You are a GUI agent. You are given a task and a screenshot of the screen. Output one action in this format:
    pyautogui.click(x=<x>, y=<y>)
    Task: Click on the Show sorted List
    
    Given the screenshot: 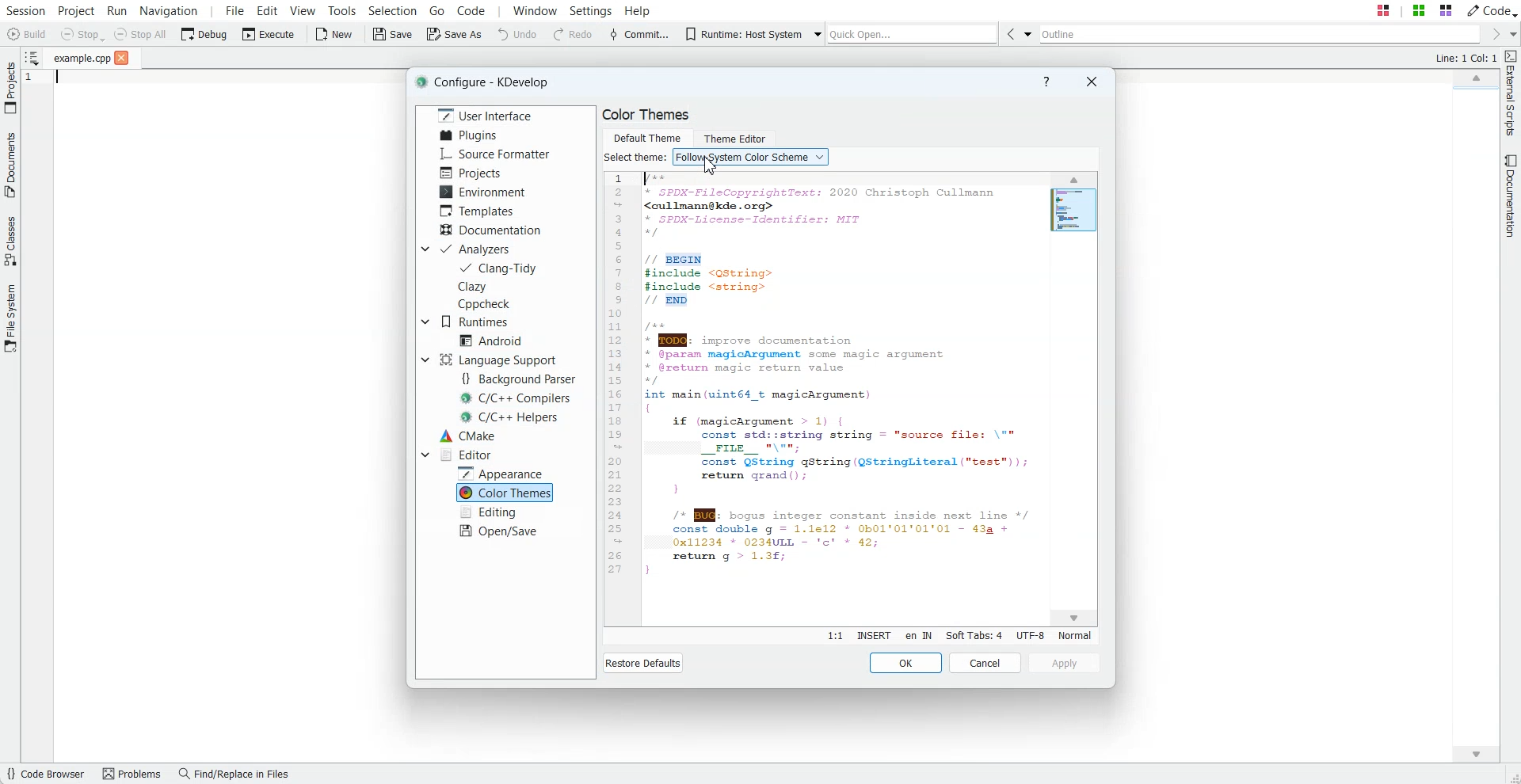 What is the action you would take?
    pyautogui.click(x=31, y=57)
    